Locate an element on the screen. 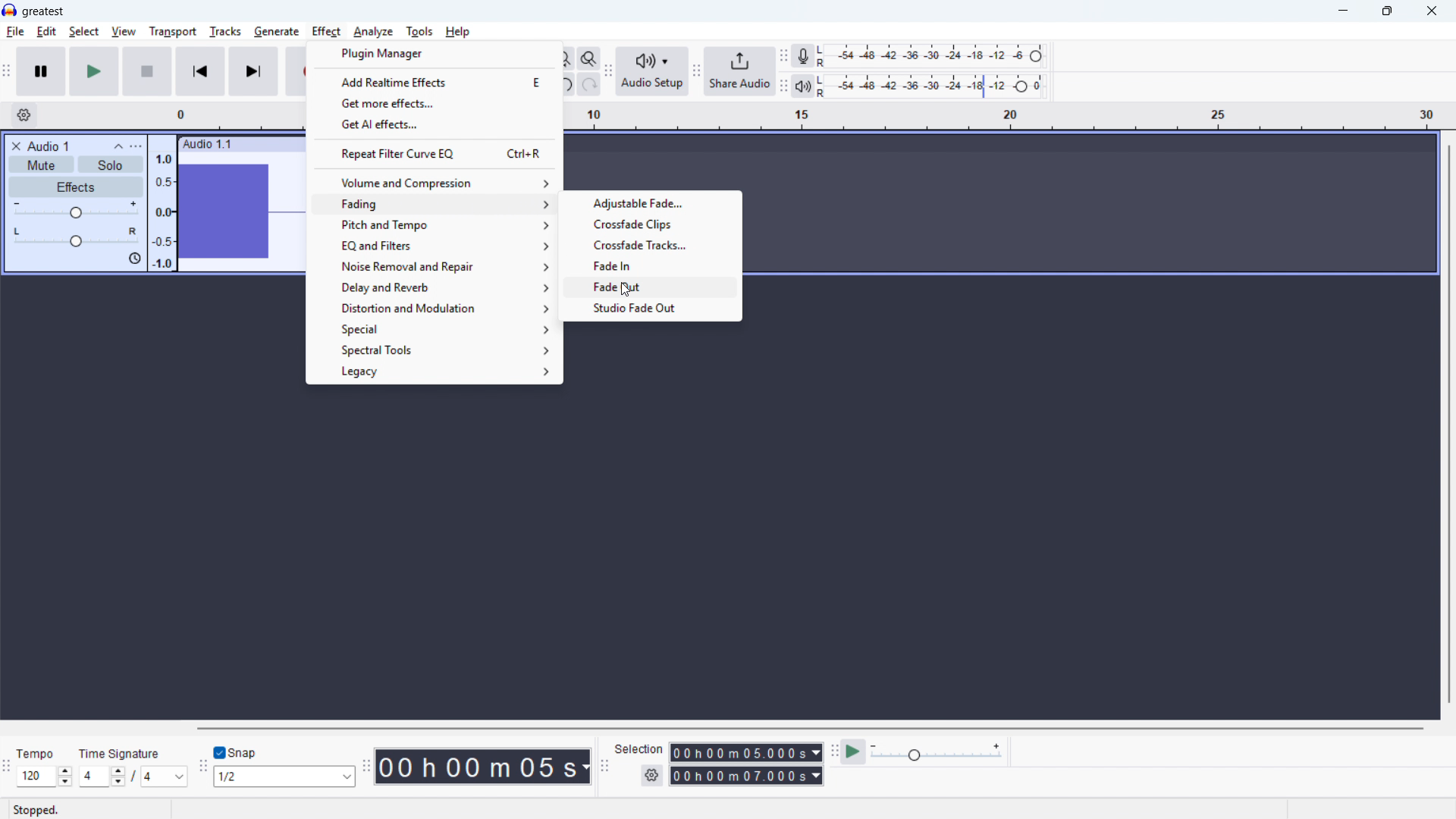 This screenshot has height=819, width=1456. timeline is located at coordinates (229, 115).